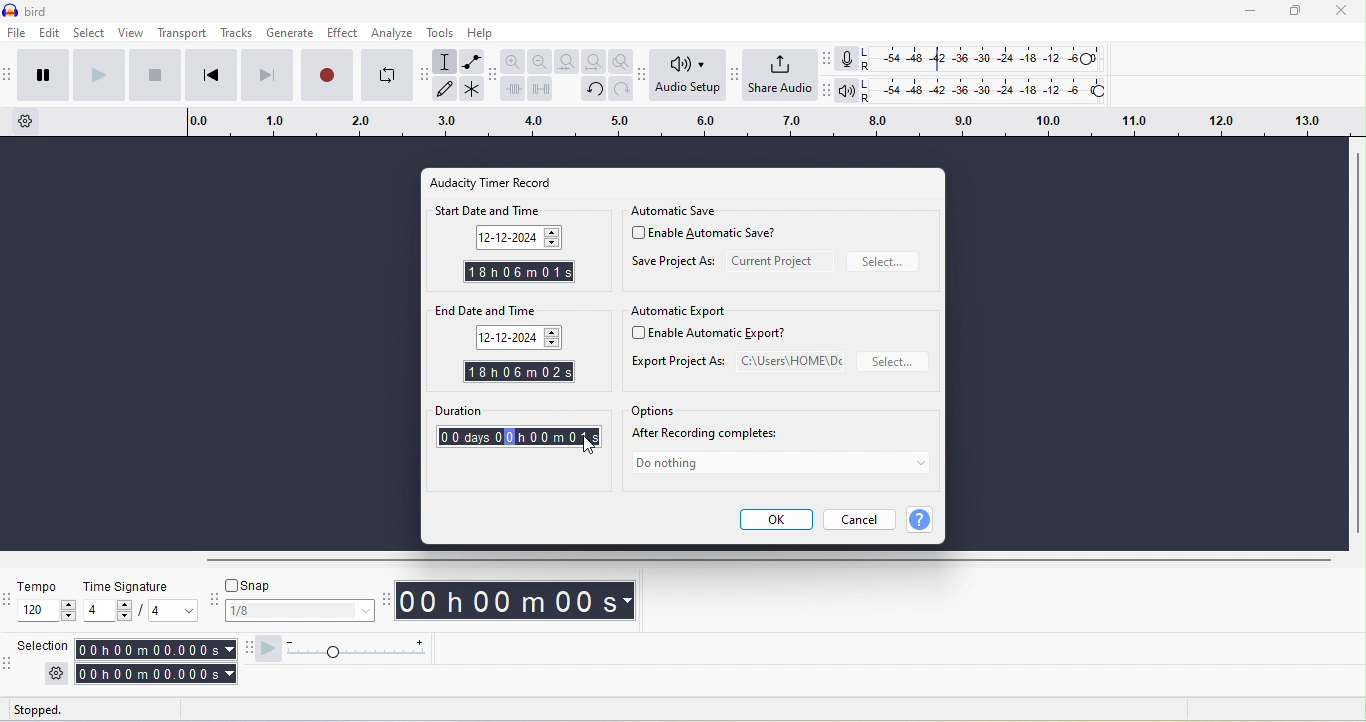 This screenshot has width=1366, height=722. Describe the element at coordinates (518, 371) in the screenshot. I see `18 h 06 m 02 s` at that location.